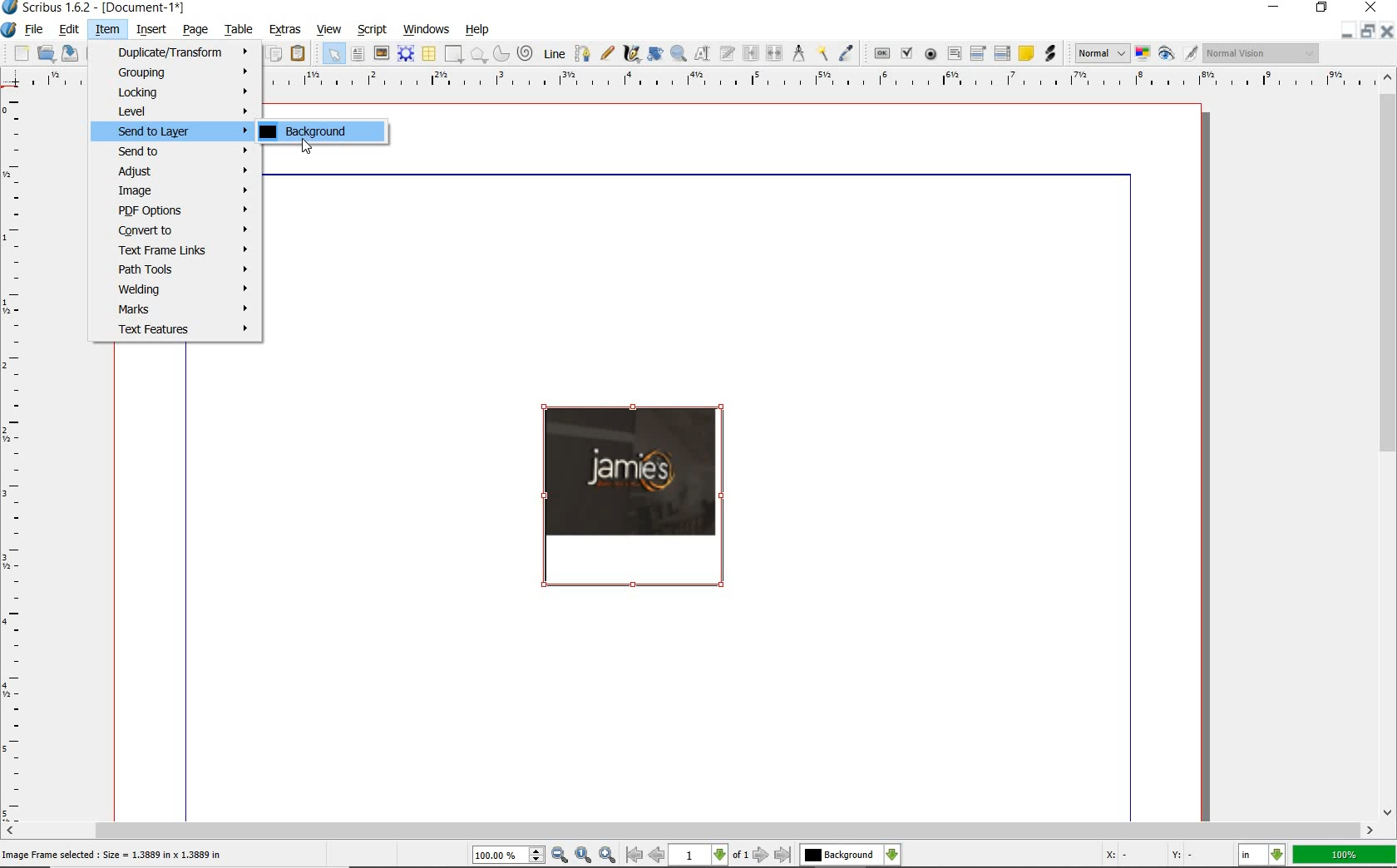 The image size is (1397, 868). What do you see at coordinates (178, 272) in the screenshot?
I see `Path Tools` at bounding box center [178, 272].